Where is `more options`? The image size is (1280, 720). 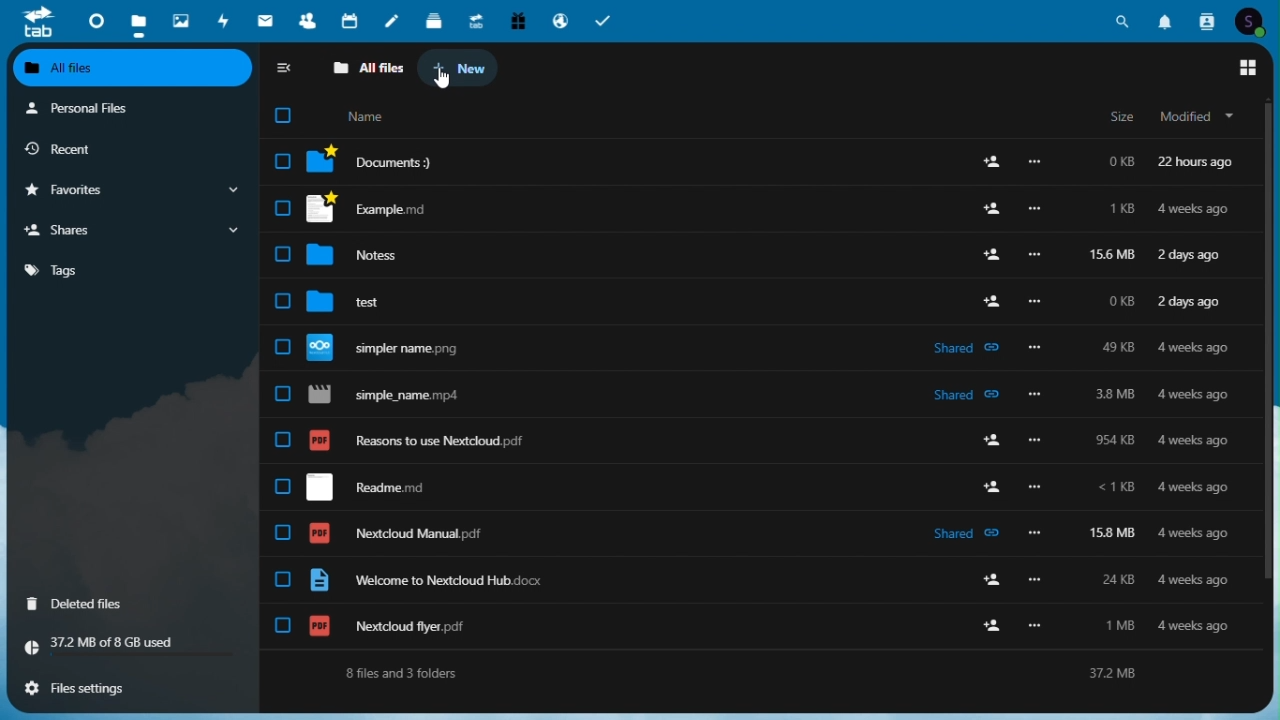
more options is located at coordinates (1034, 210).